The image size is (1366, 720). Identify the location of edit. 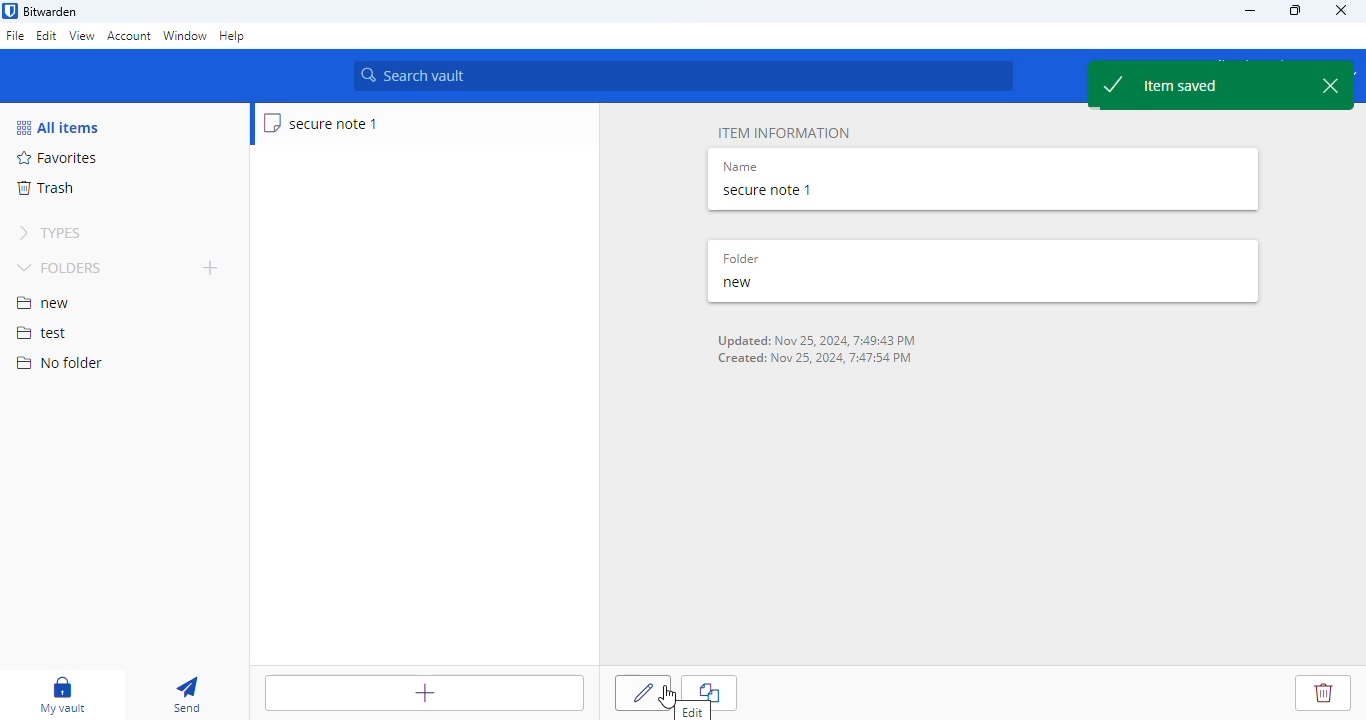
(47, 35).